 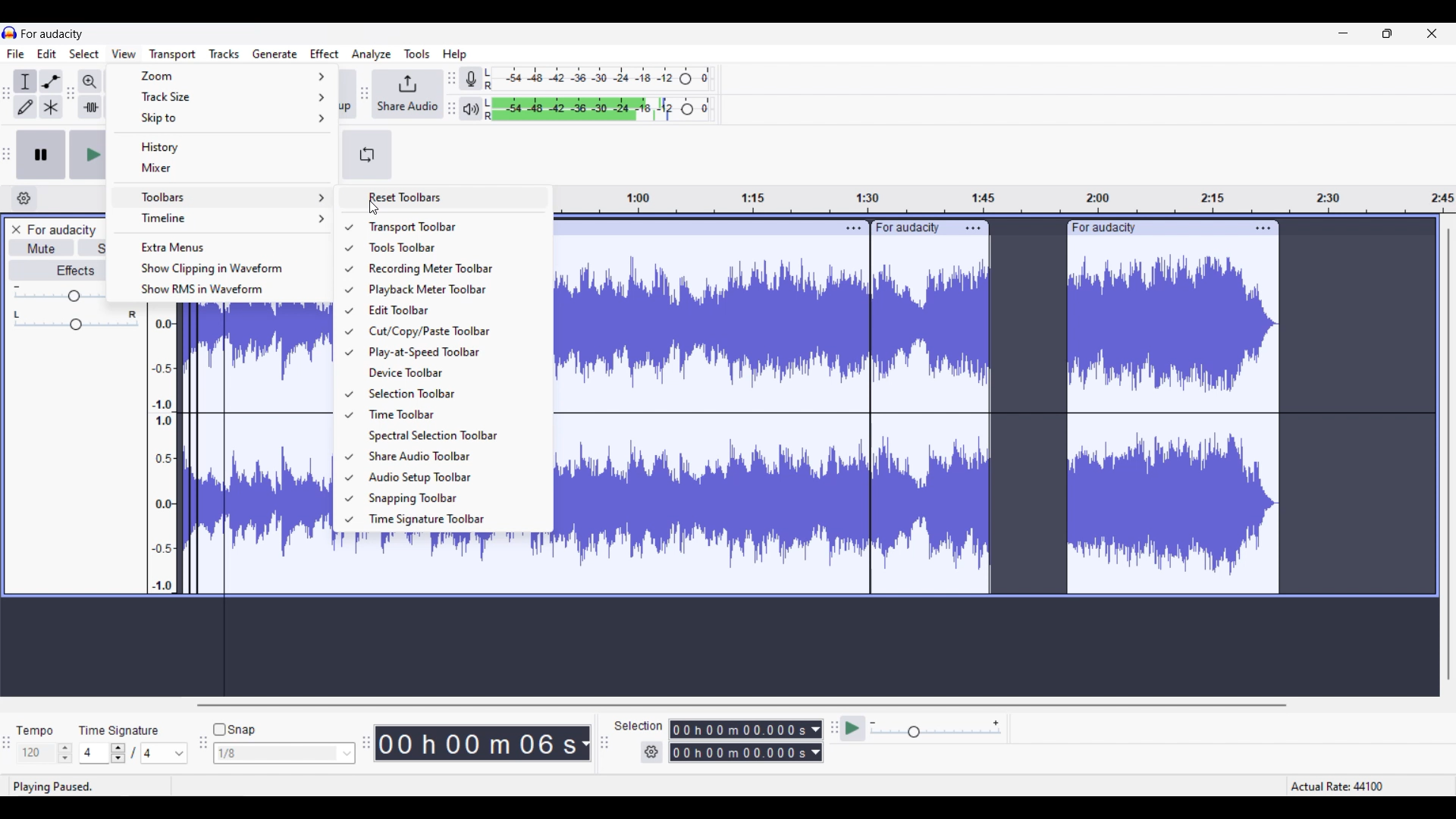 I want to click on Play at speed toolbar, so click(x=450, y=353).